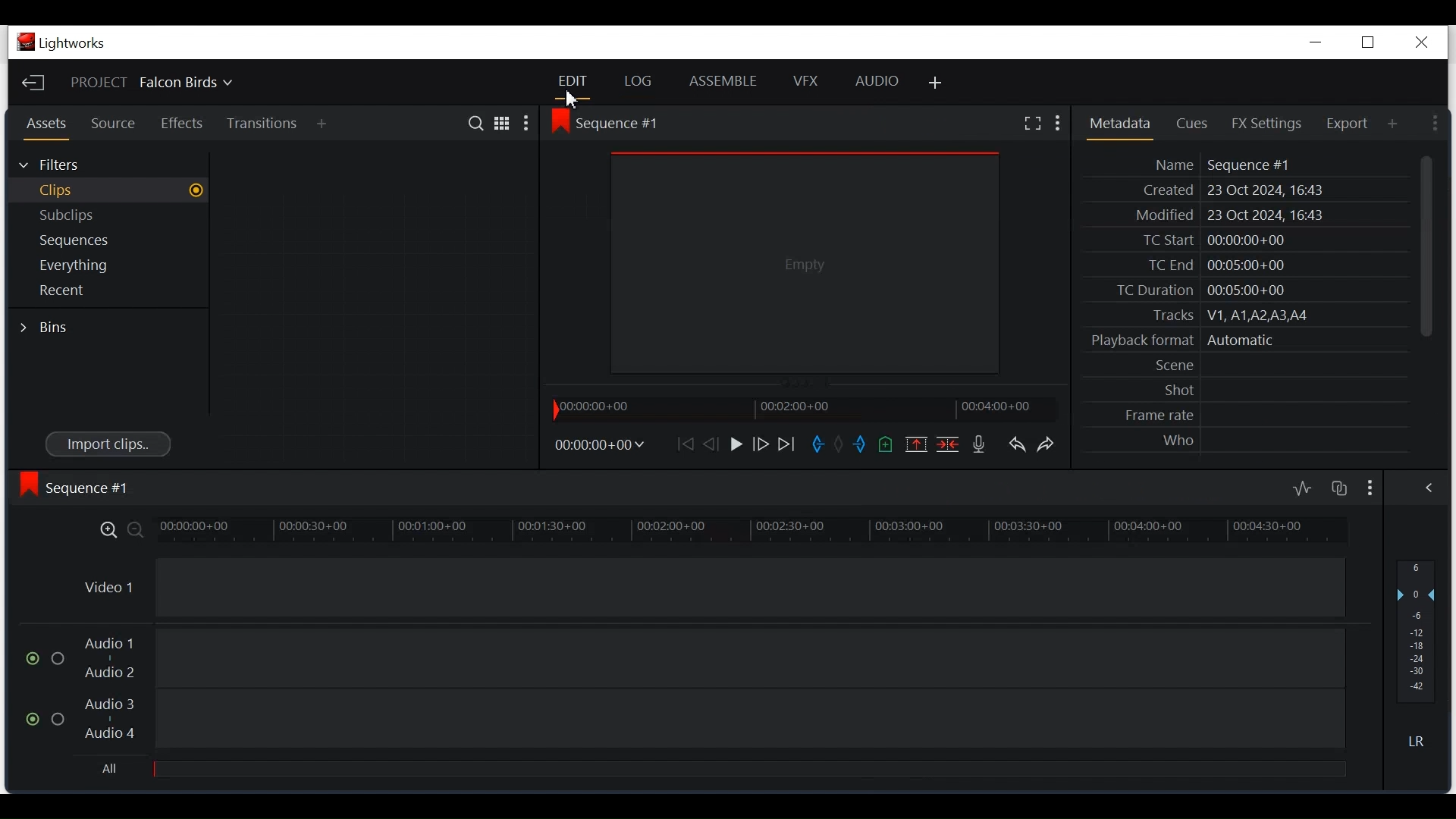  I want to click on Audio output level dB, so click(1416, 633).